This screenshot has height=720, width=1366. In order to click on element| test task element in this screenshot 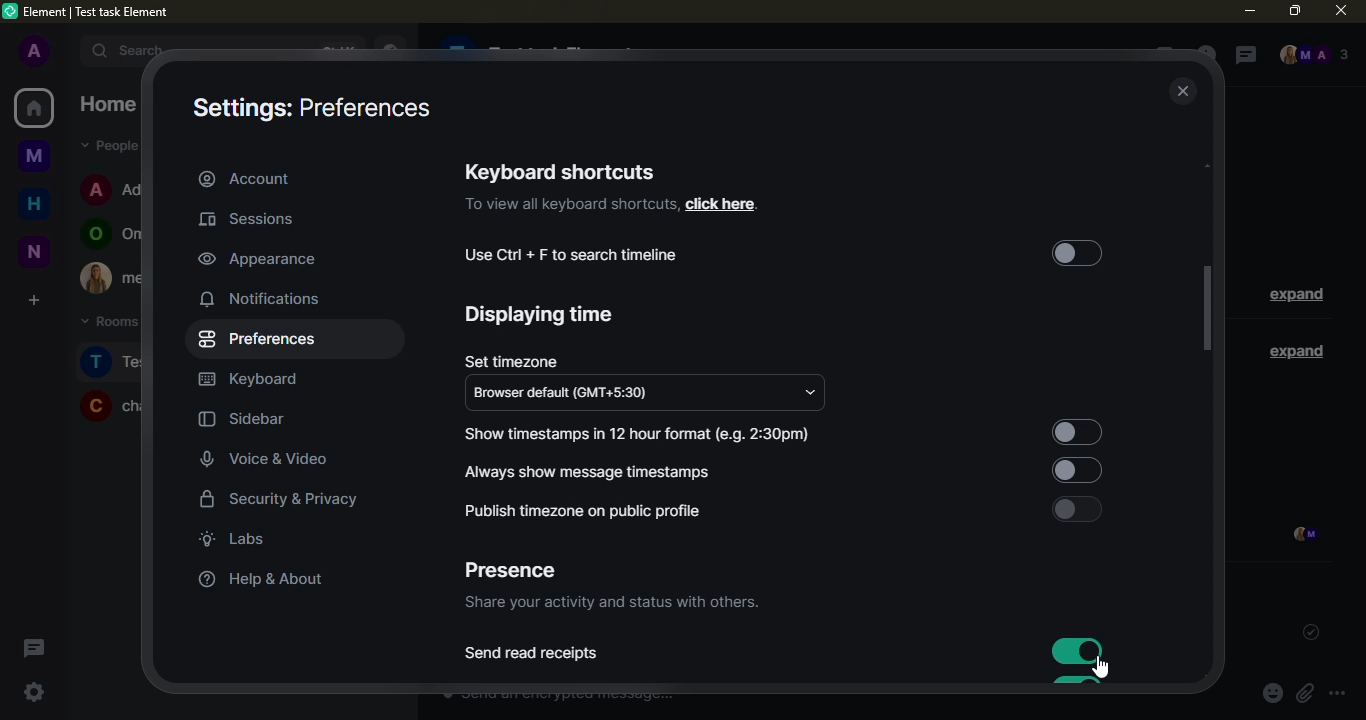, I will do `click(104, 13)`.